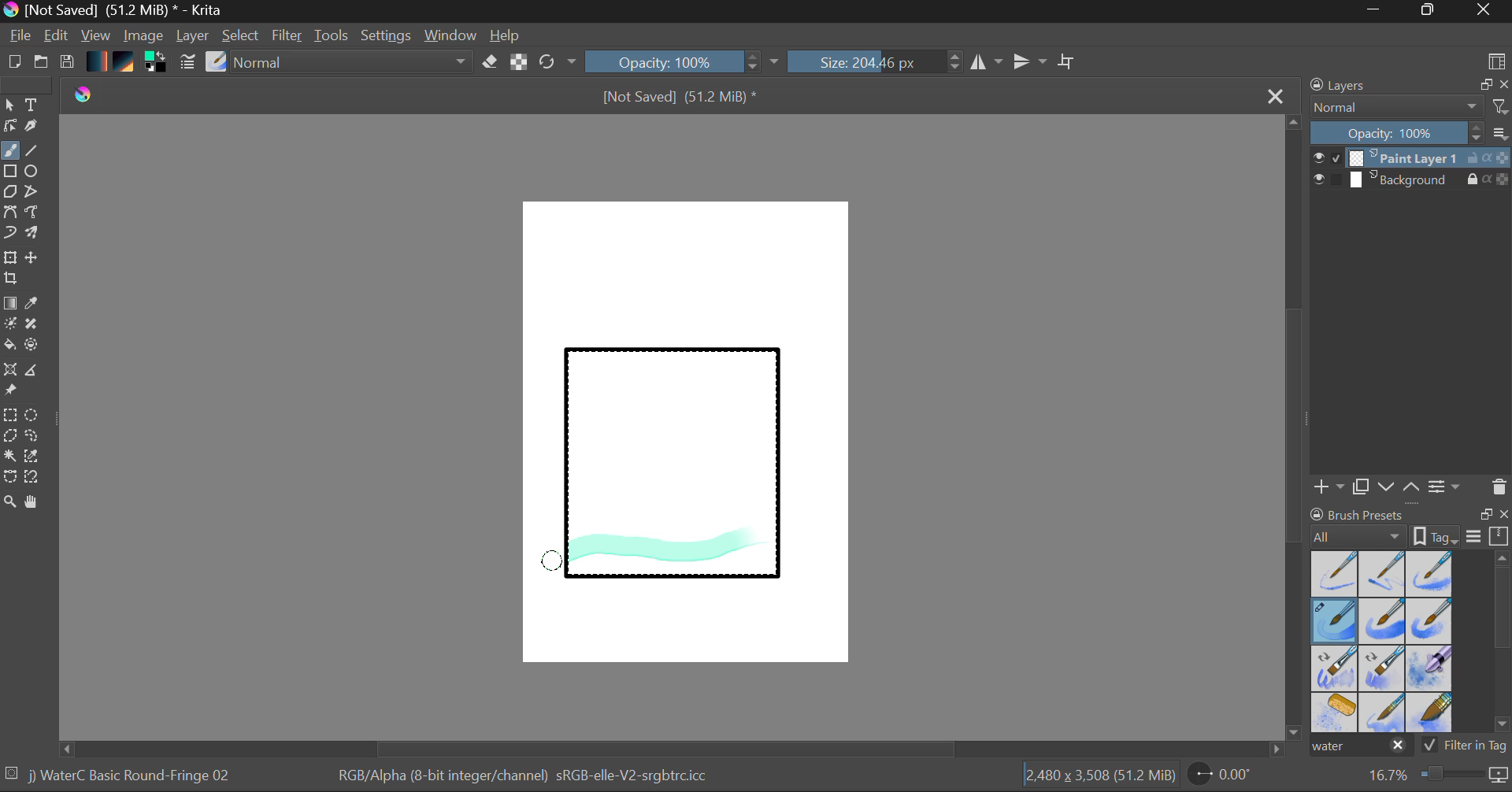 The image size is (1512, 792). Describe the element at coordinates (289, 38) in the screenshot. I see `Filter` at that location.